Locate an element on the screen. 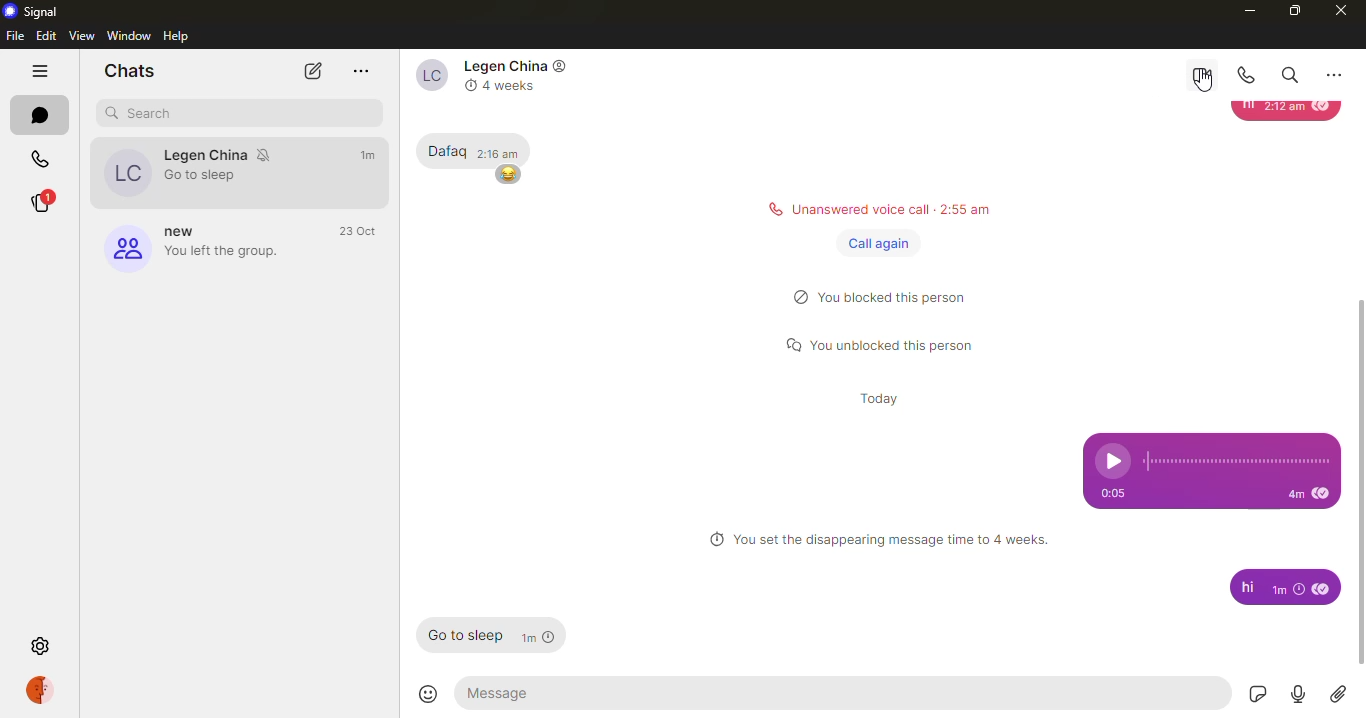 The height and width of the screenshot is (718, 1366). time is located at coordinates (368, 155).